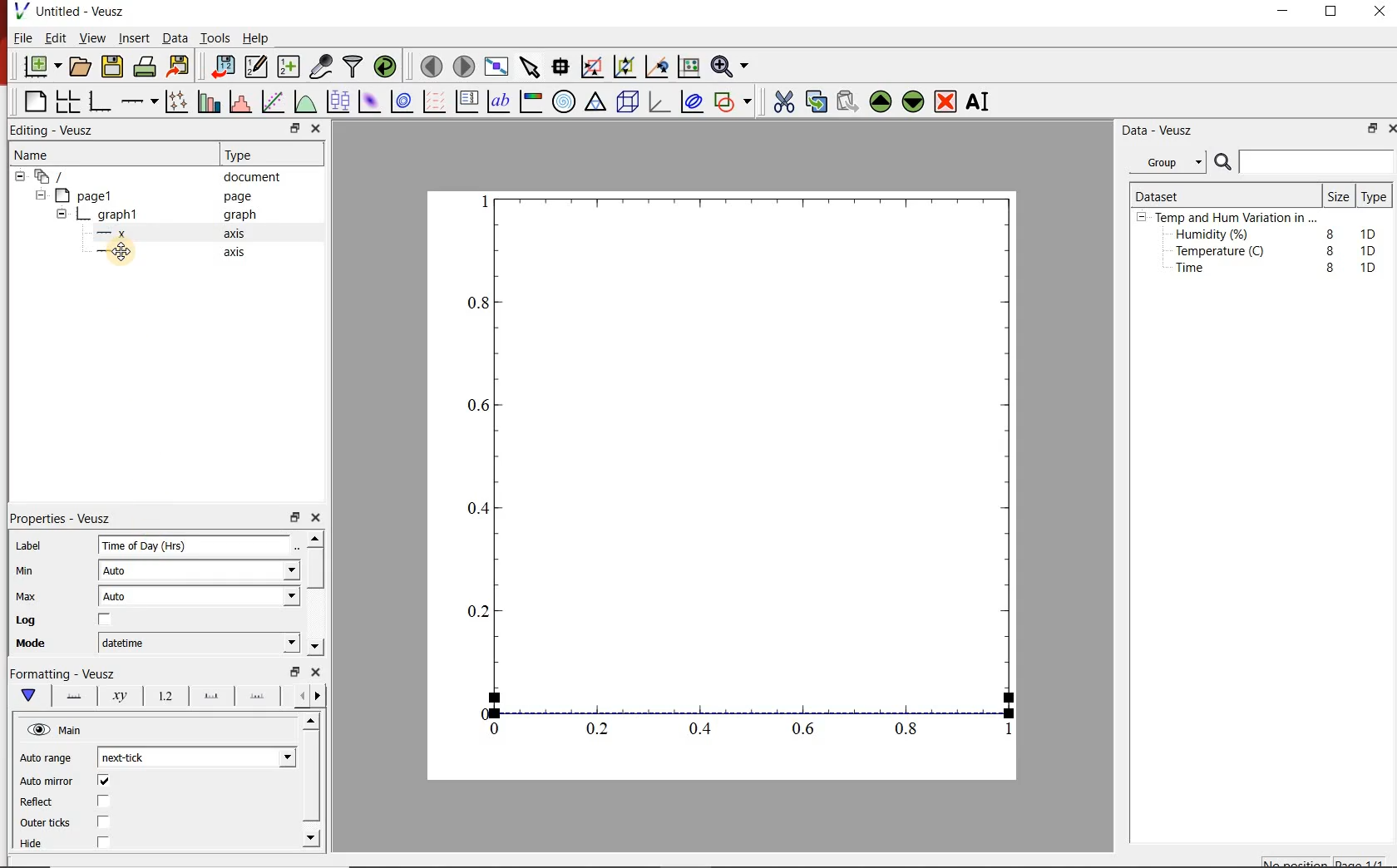 The width and height of the screenshot is (1397, 868). I want to click on Export to graphics format, so click(180, 66).